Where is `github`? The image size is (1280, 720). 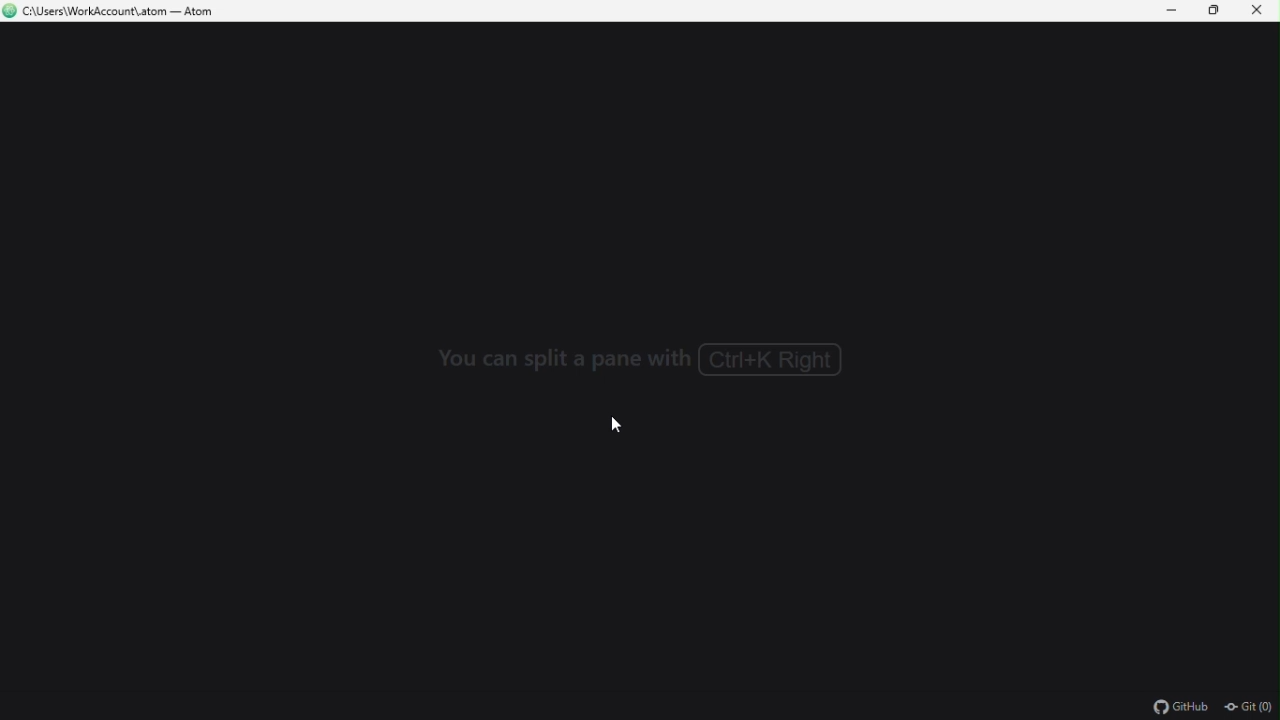 github is located at coordinates (1180, 705).